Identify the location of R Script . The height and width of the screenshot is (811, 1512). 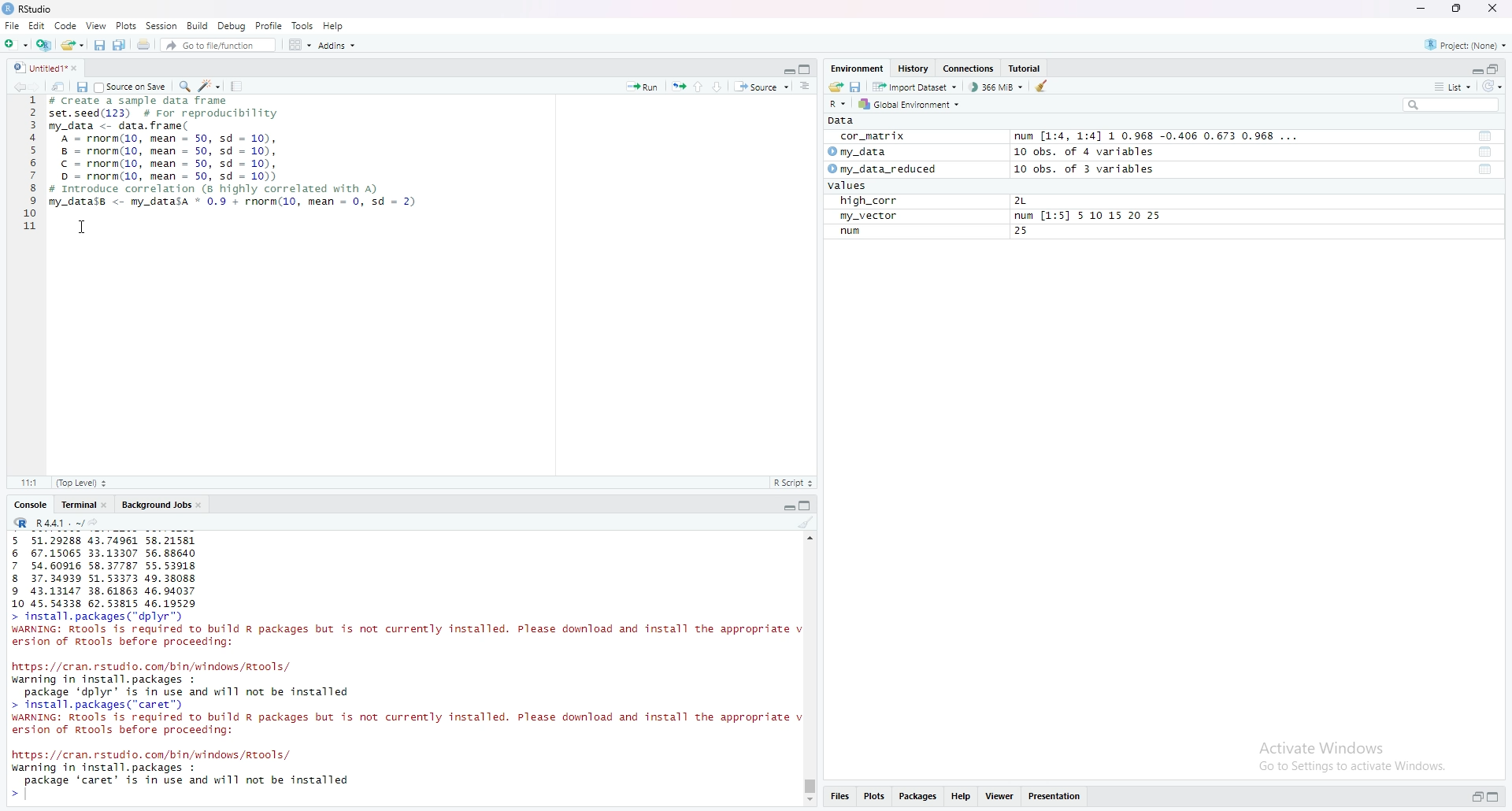
(793, 484).